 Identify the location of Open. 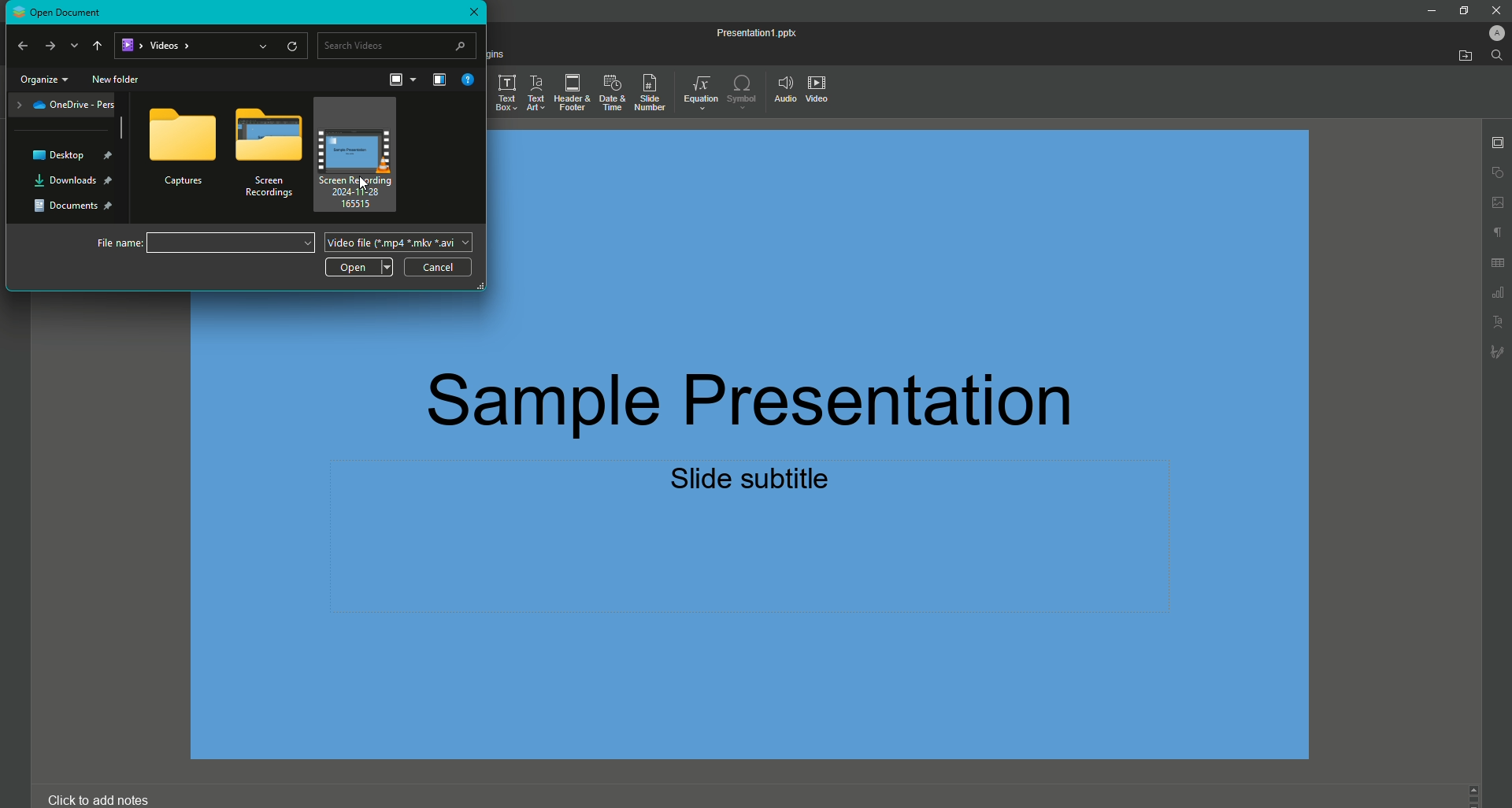
(359, 268).